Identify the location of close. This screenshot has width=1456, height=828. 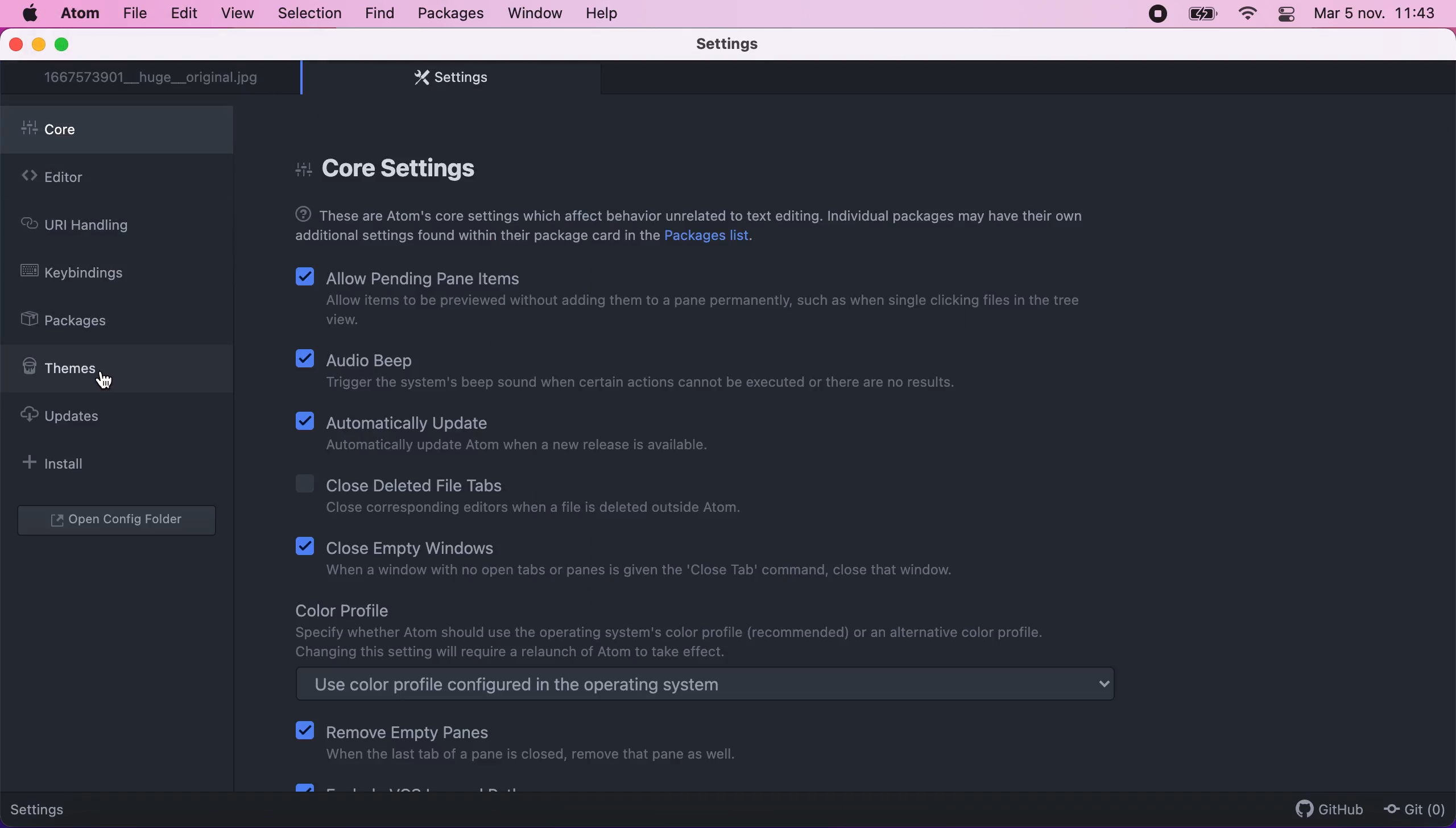
(15, 46).